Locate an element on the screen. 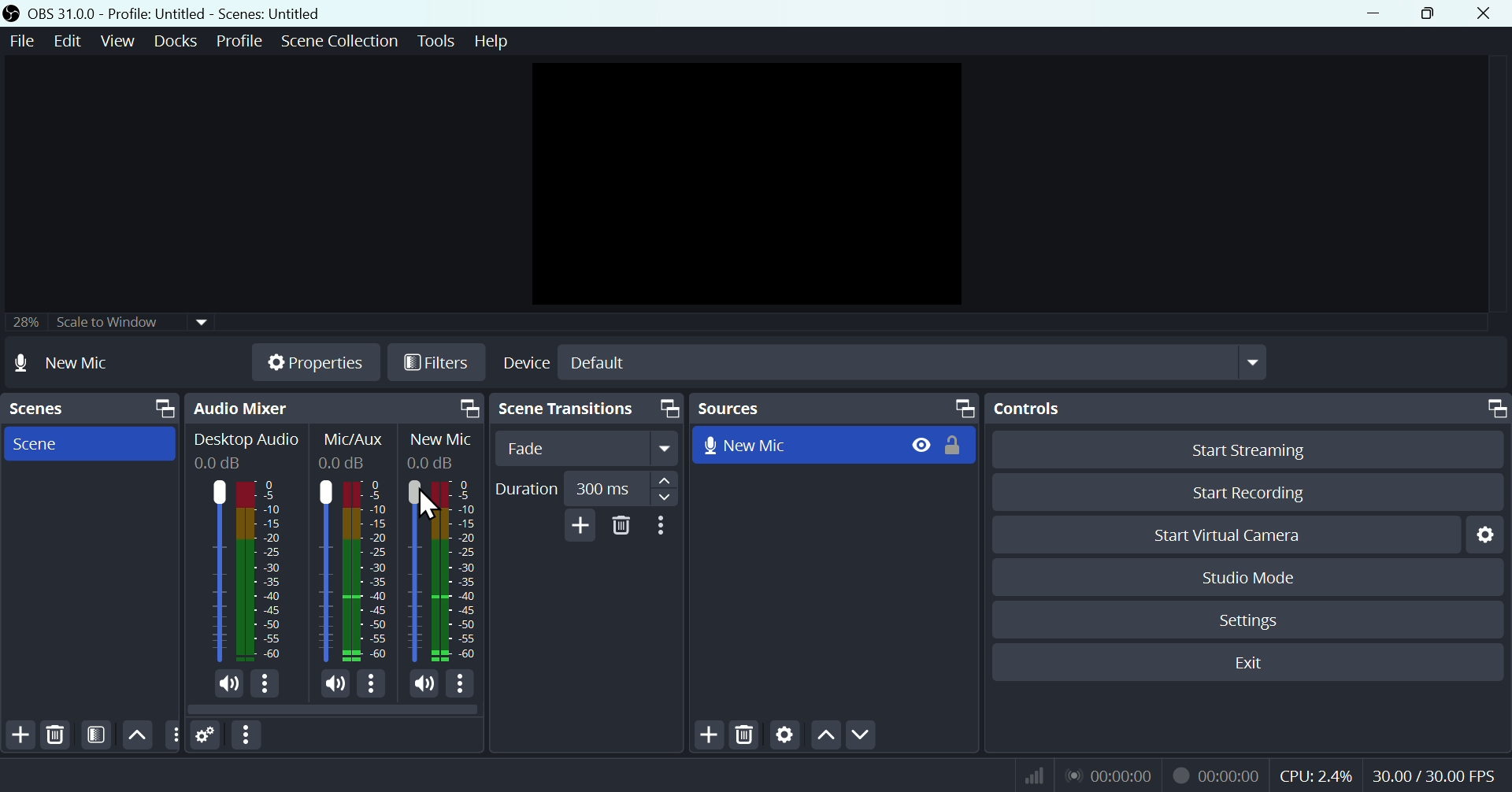 This screenshot has height=792, width=1512. Docks is located at coordinates (179, 41).